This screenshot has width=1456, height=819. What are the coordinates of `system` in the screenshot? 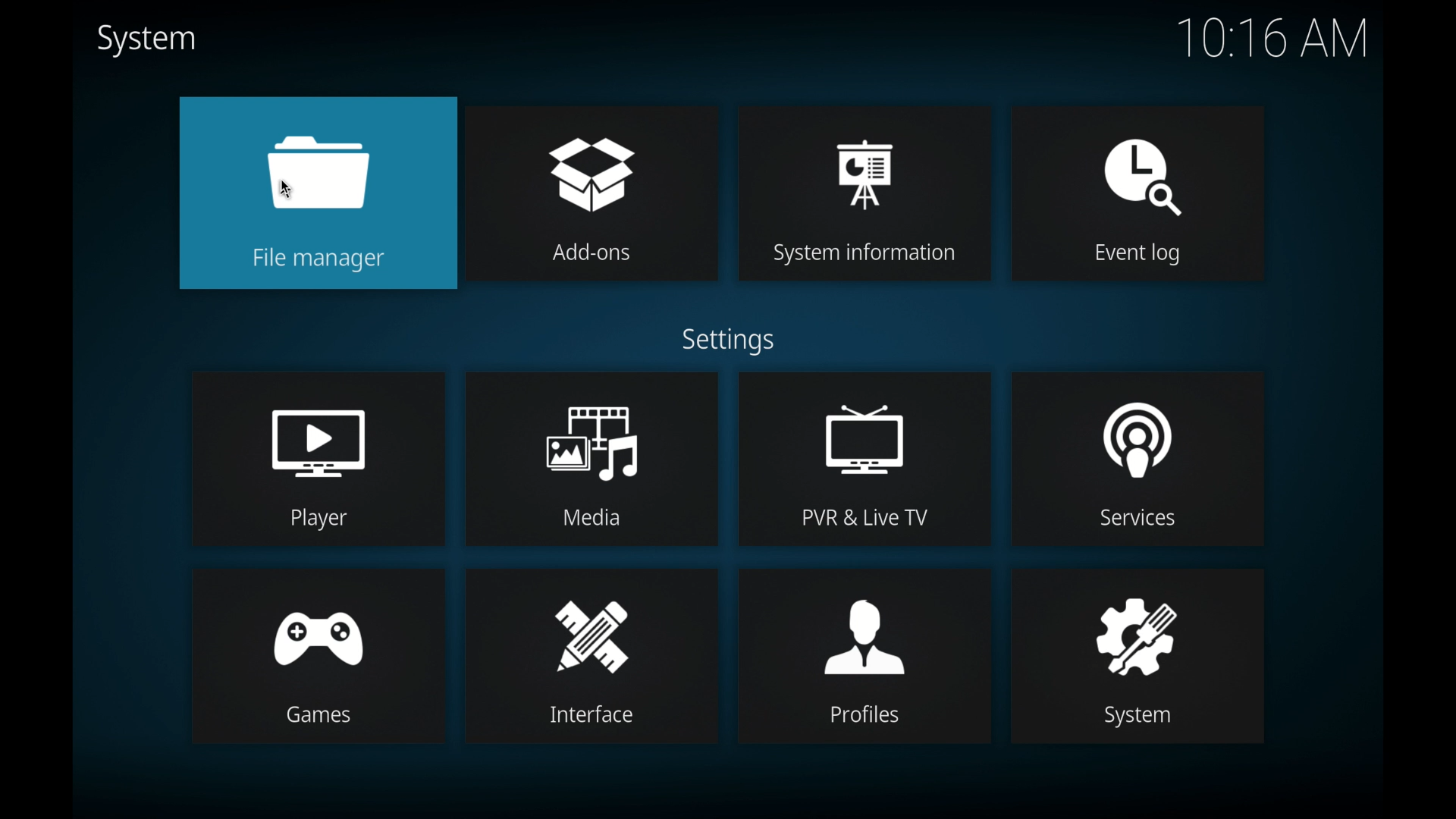 It's located at (1139, 656).